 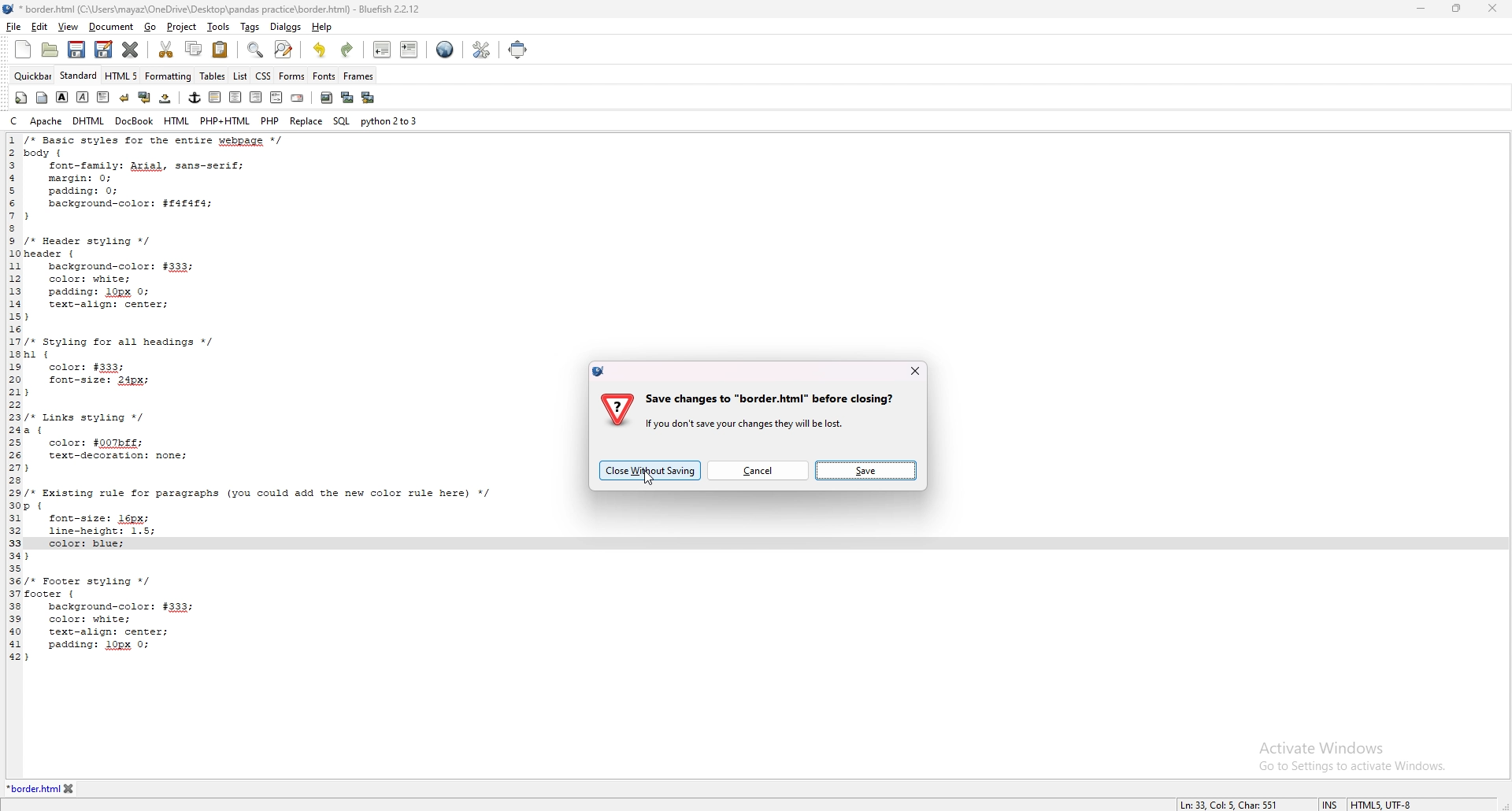 What do you see at coordinates (89, 121) in the screenshot?
I see `dhtml` at bounding box center [89, 121].